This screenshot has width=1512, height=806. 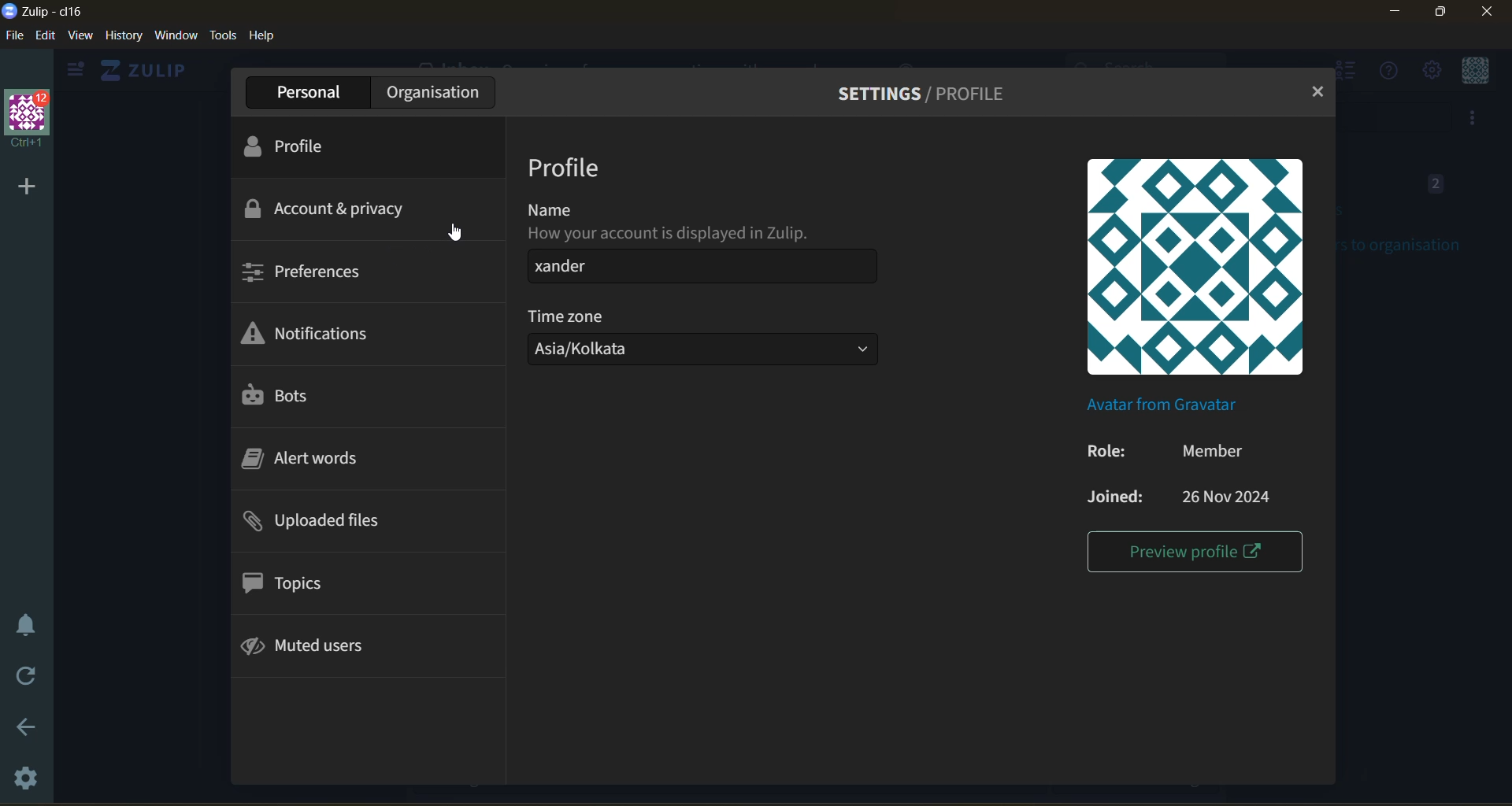 What do you see at coordinates (699, 314) in the screenshot?
I see `time zone:` at bounding box center [699, 314].